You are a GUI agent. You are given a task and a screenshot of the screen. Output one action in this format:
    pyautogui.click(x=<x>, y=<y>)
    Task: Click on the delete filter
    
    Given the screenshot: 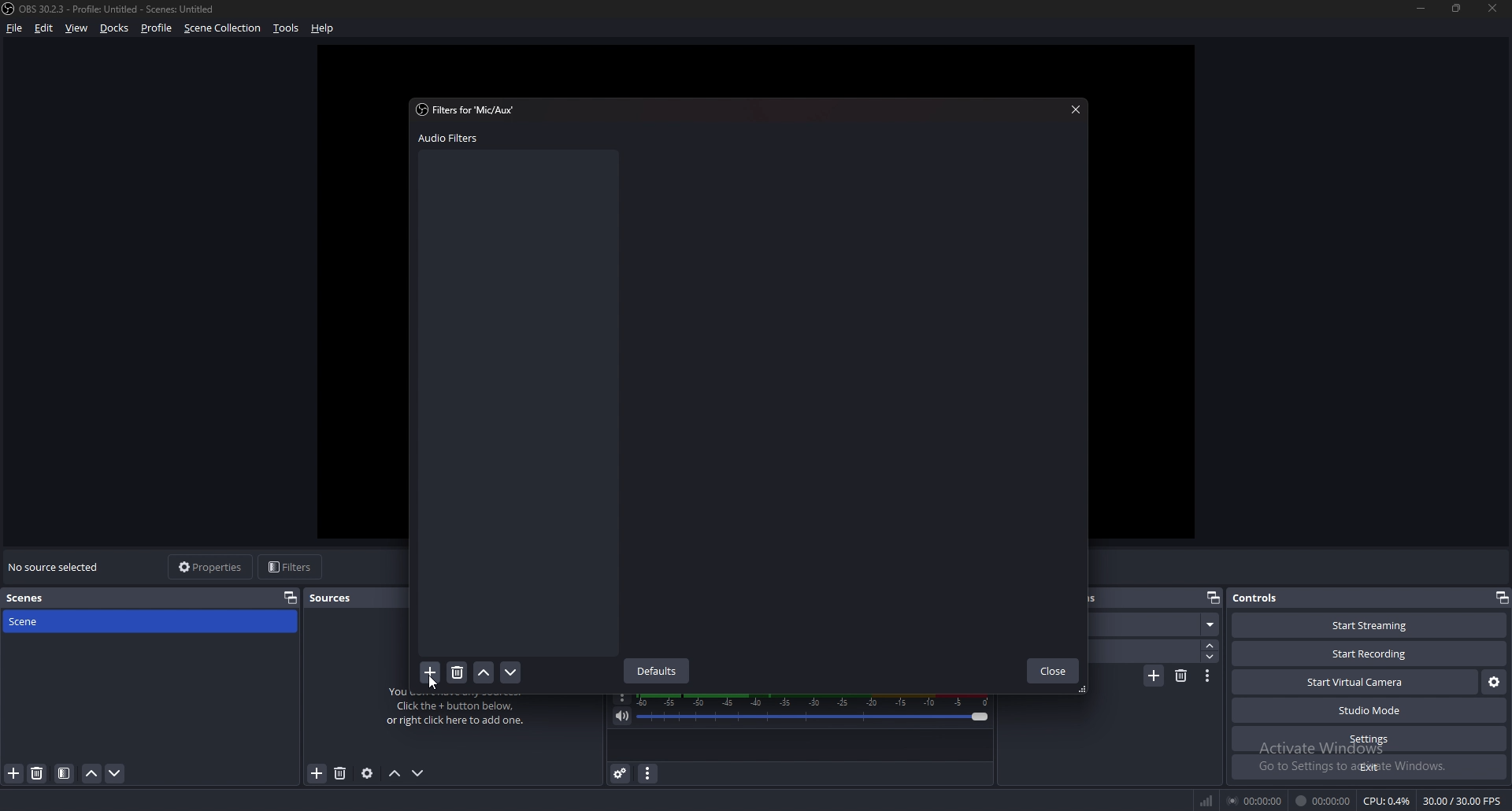 What is the action you would take?
    pyautogui.click(x=458, y=671)
    